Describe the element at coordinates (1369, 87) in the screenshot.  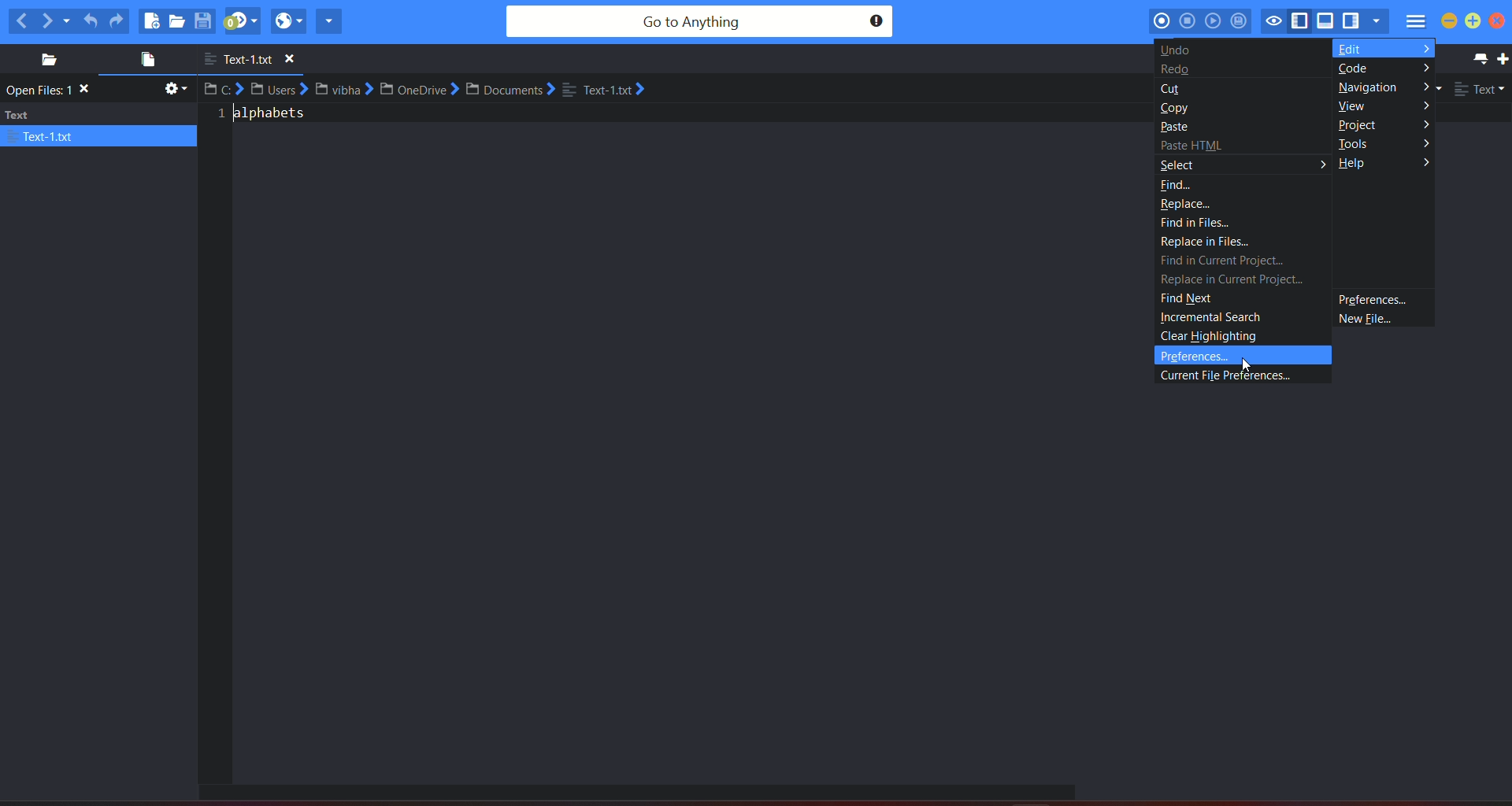
I see `navigation` at that location.